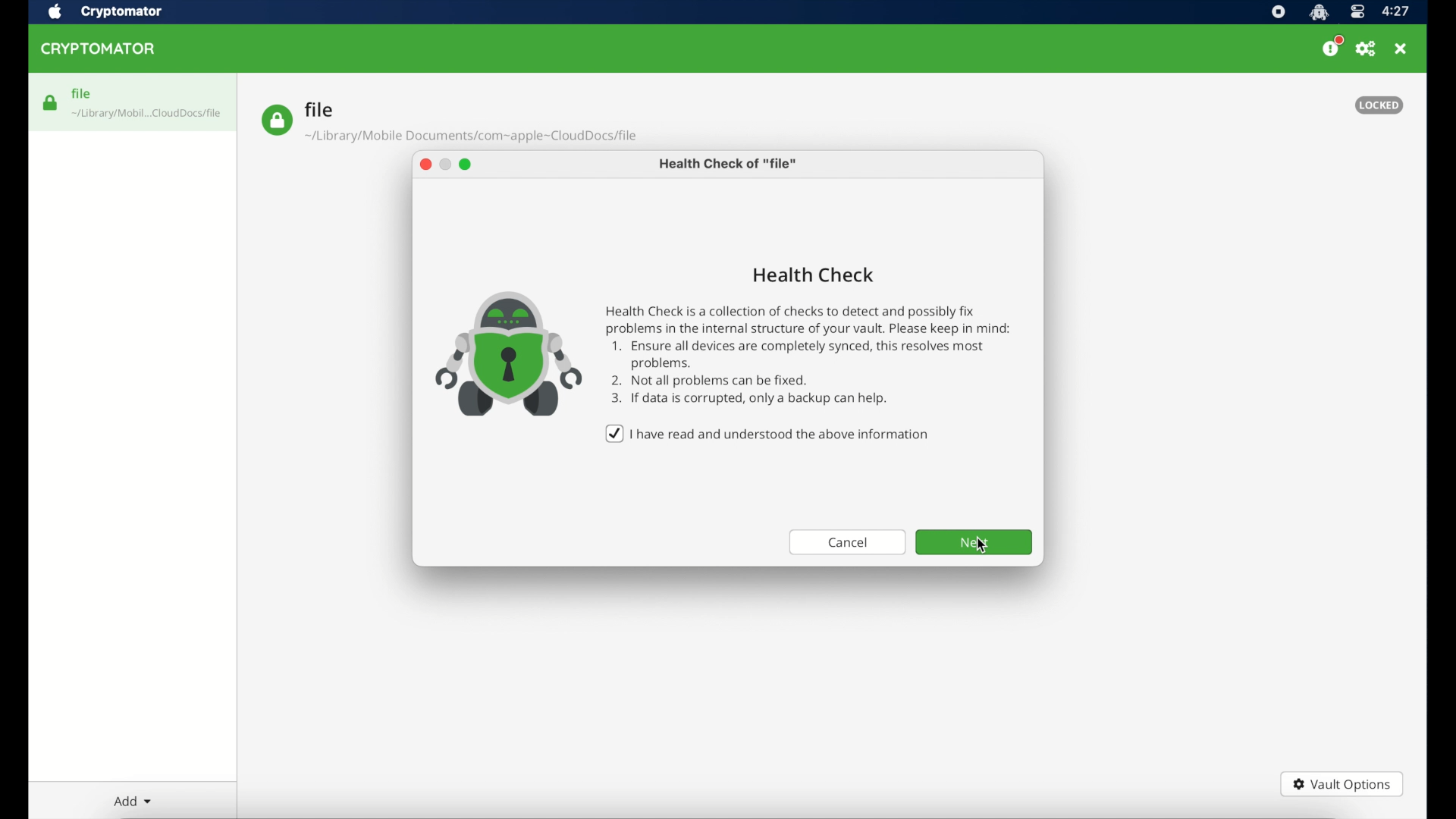 Image resolution: width=1456 pixels, height=819 pixels. I want to click on time, so click(1397, 11).